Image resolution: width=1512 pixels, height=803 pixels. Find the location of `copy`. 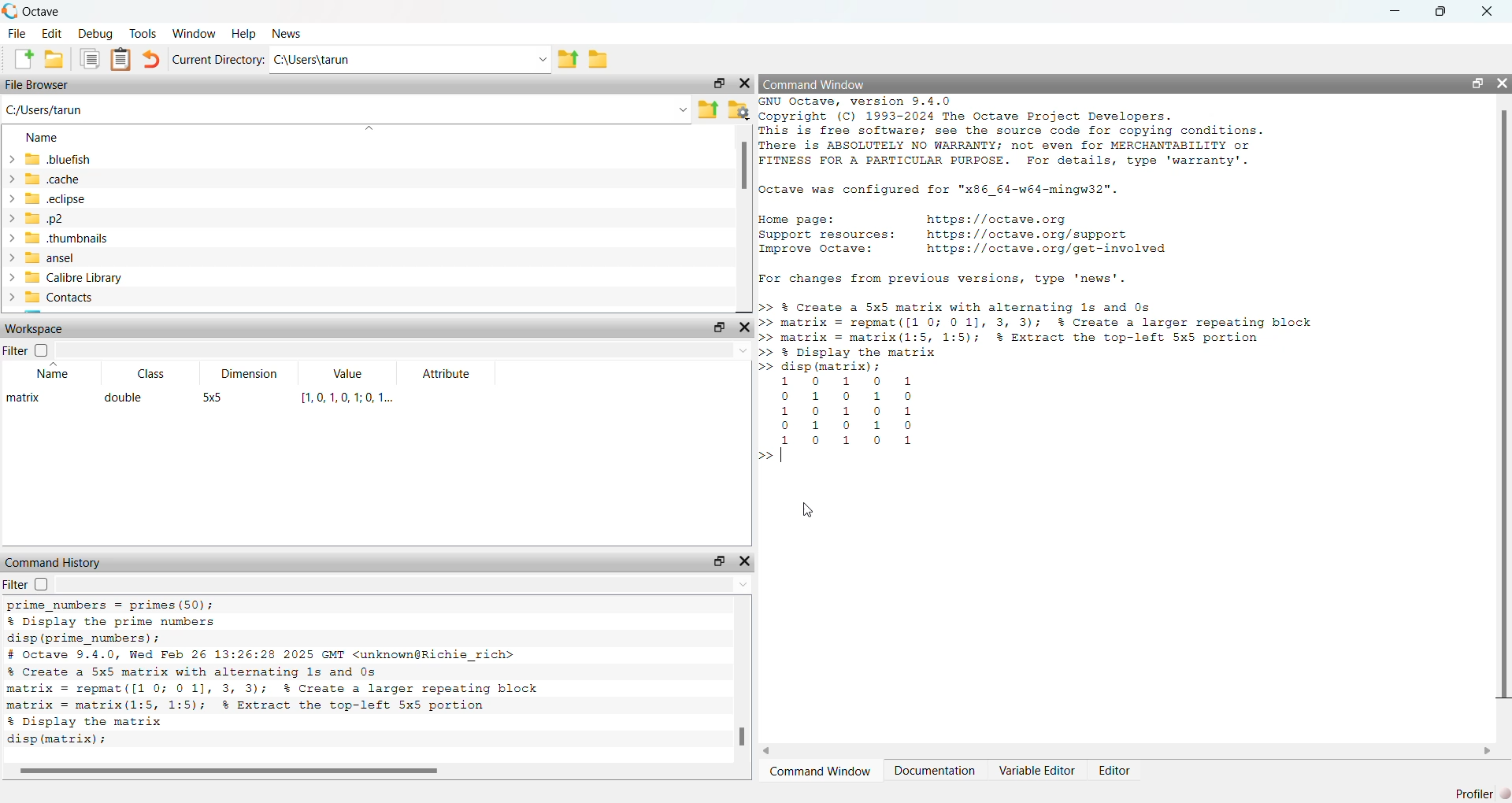

copy is located at coordinates (90, 58).